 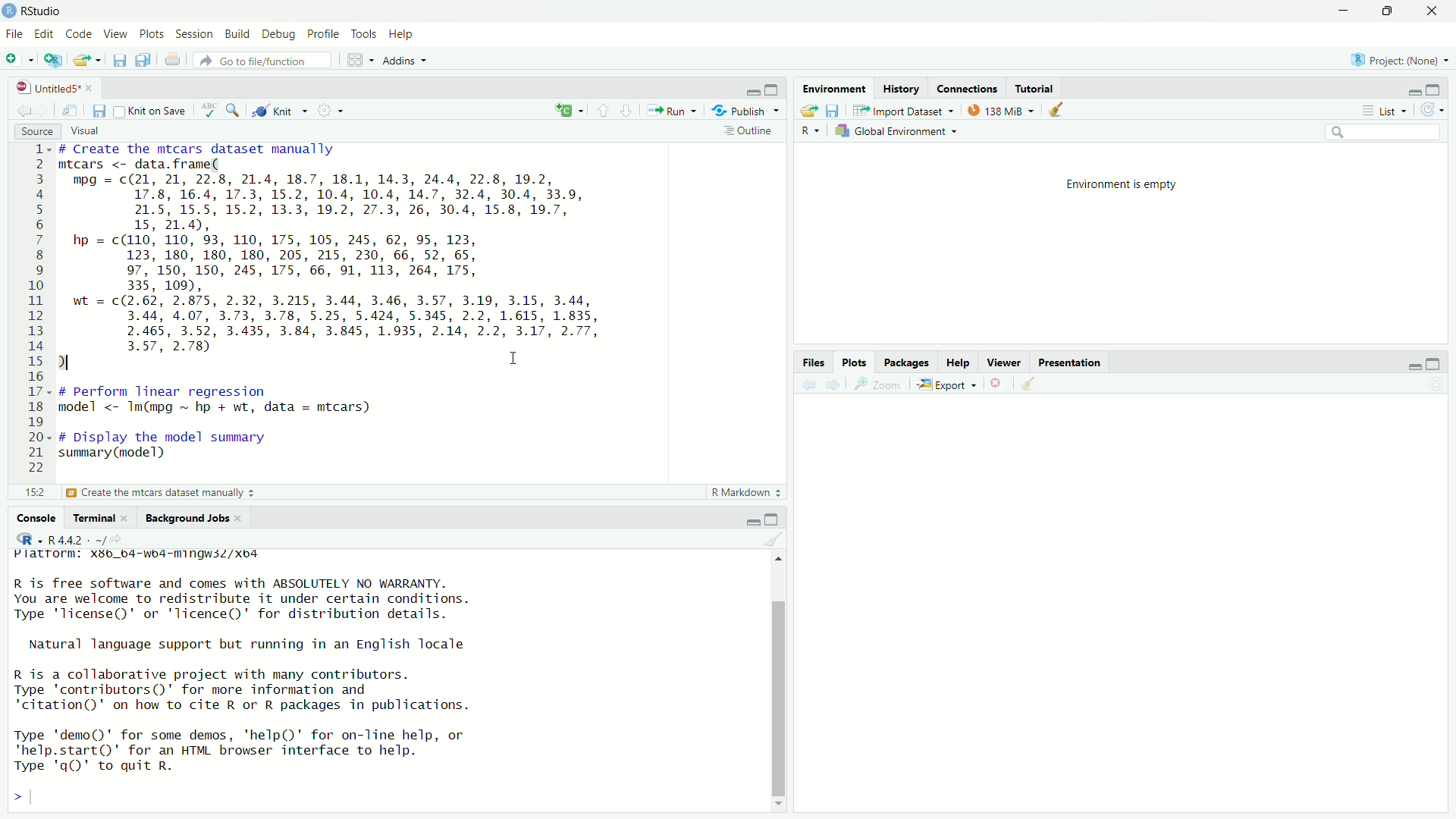 What do you see at coordinates (602, 110) in the screenshot?
I see `go to previous section` at bounding box center [602, 110].